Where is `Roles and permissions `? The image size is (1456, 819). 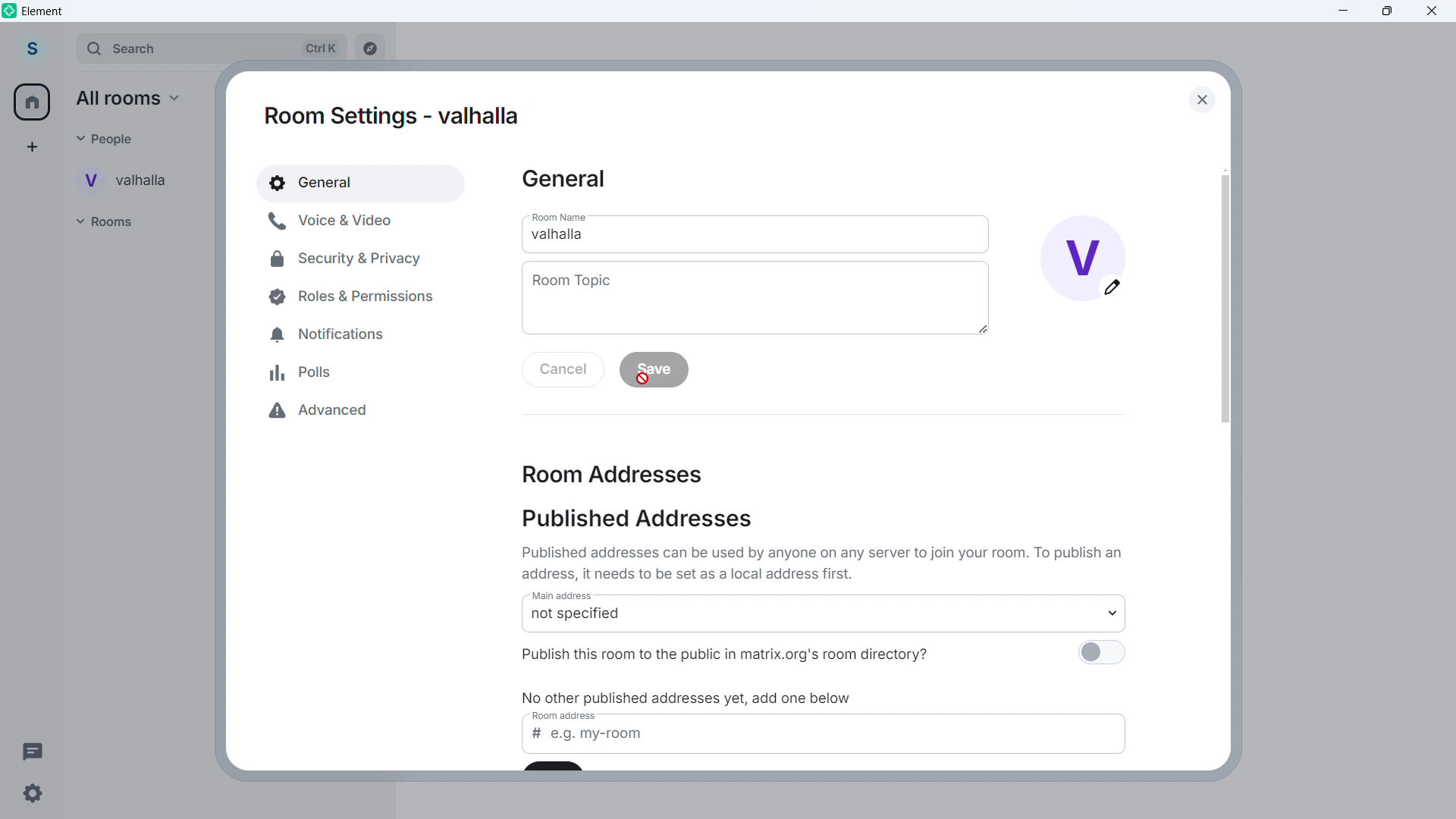 Roles and permissions  is located at coordinates (345, 296).